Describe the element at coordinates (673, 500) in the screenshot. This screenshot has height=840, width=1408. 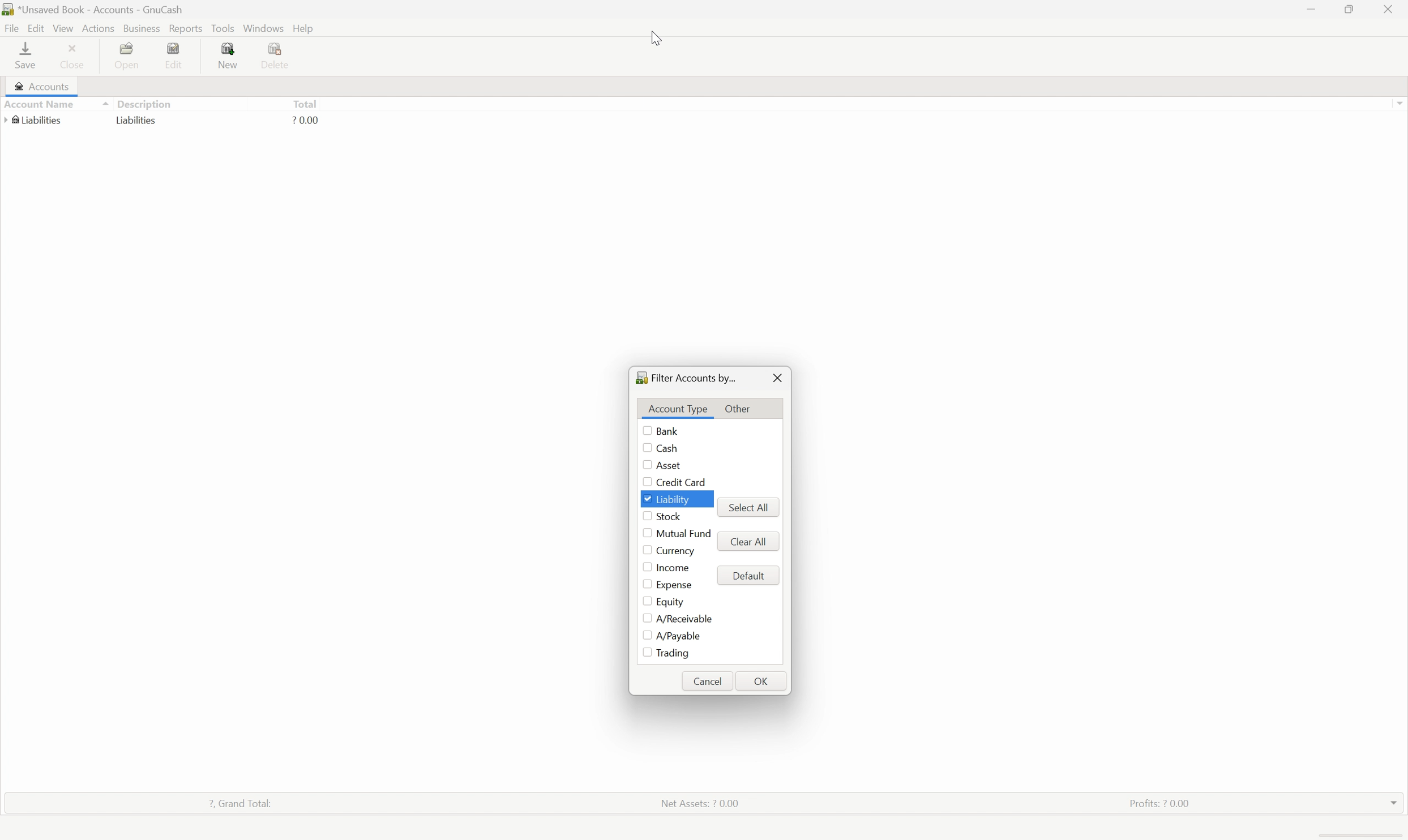
I see `Liability` at that location.